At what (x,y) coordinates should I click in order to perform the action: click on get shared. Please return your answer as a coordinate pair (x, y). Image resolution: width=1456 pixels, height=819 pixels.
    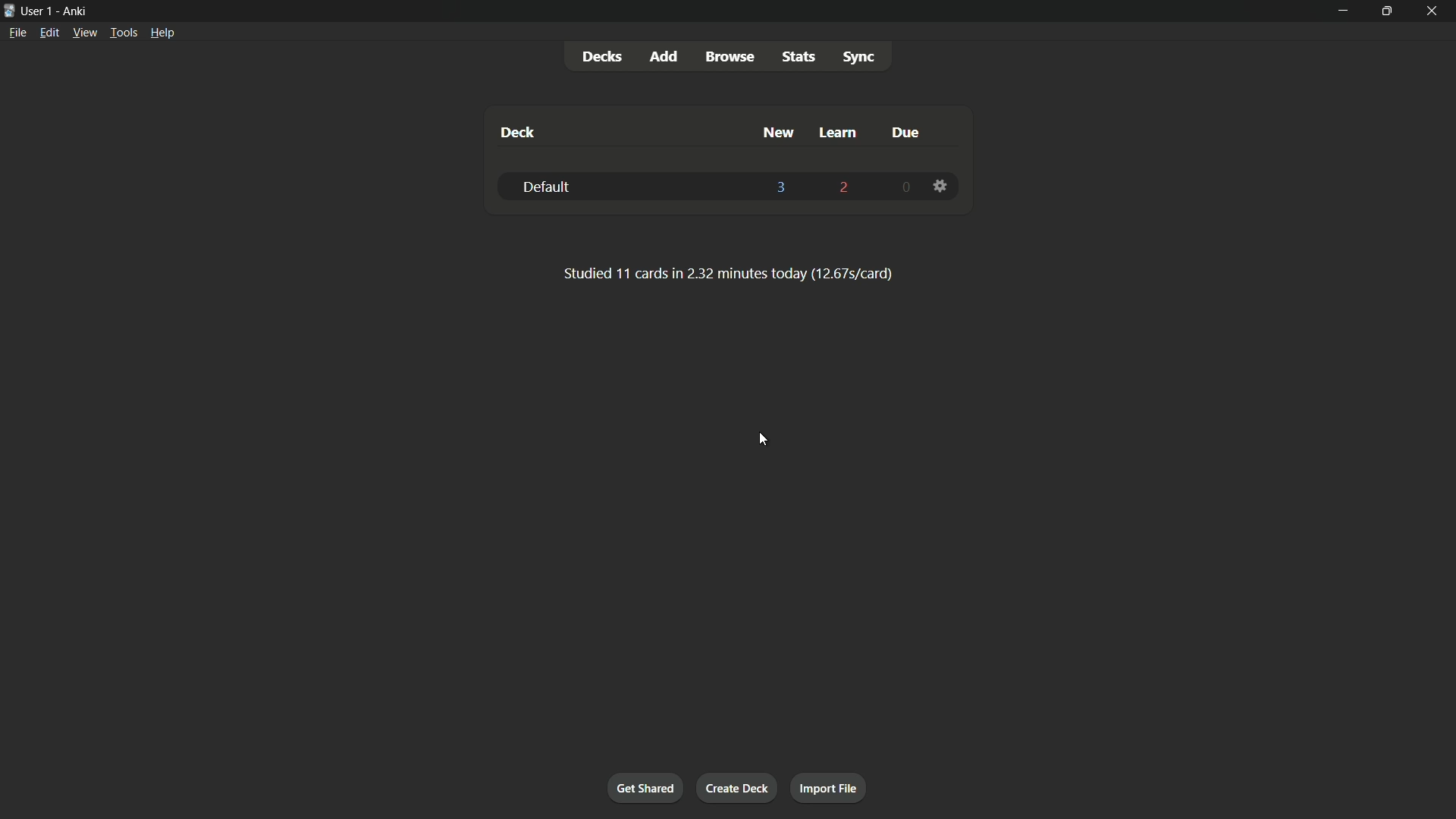
    Looking at the image, I should click on (645, 786).